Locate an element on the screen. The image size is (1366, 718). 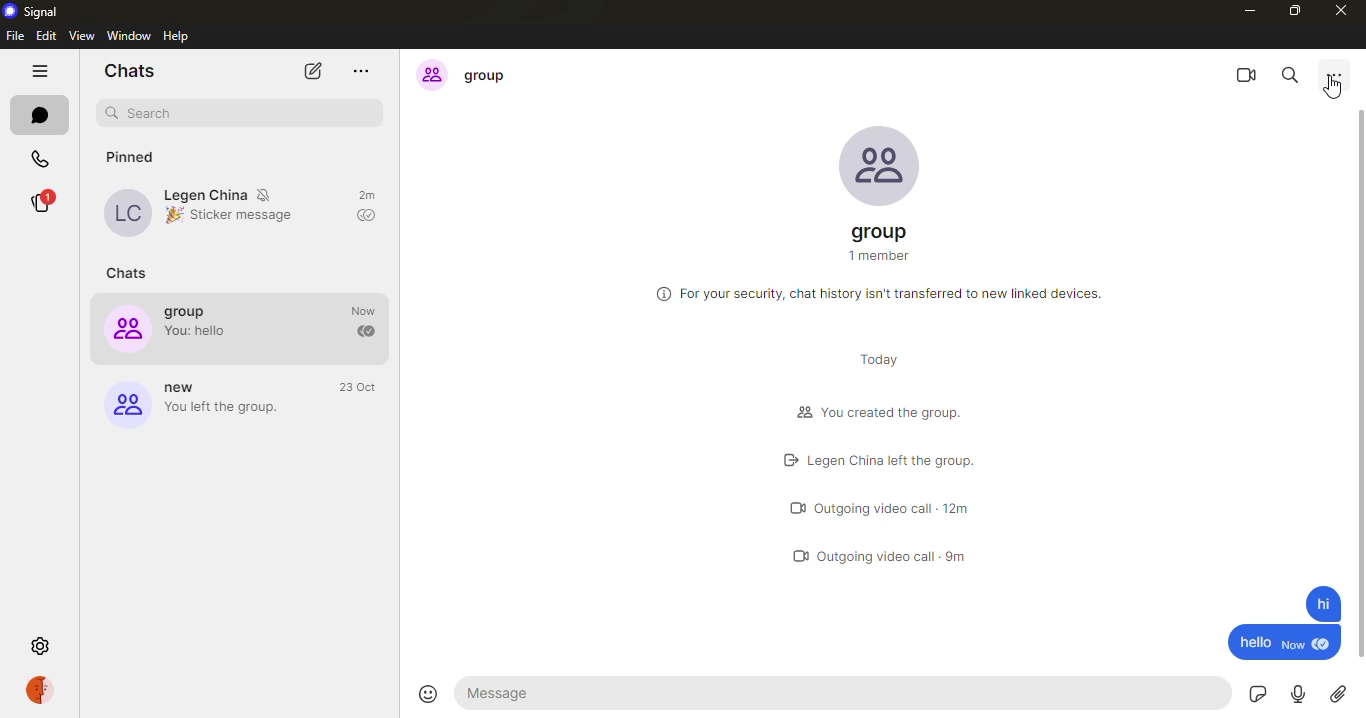
profile pic is located at coordinates (882, 163).